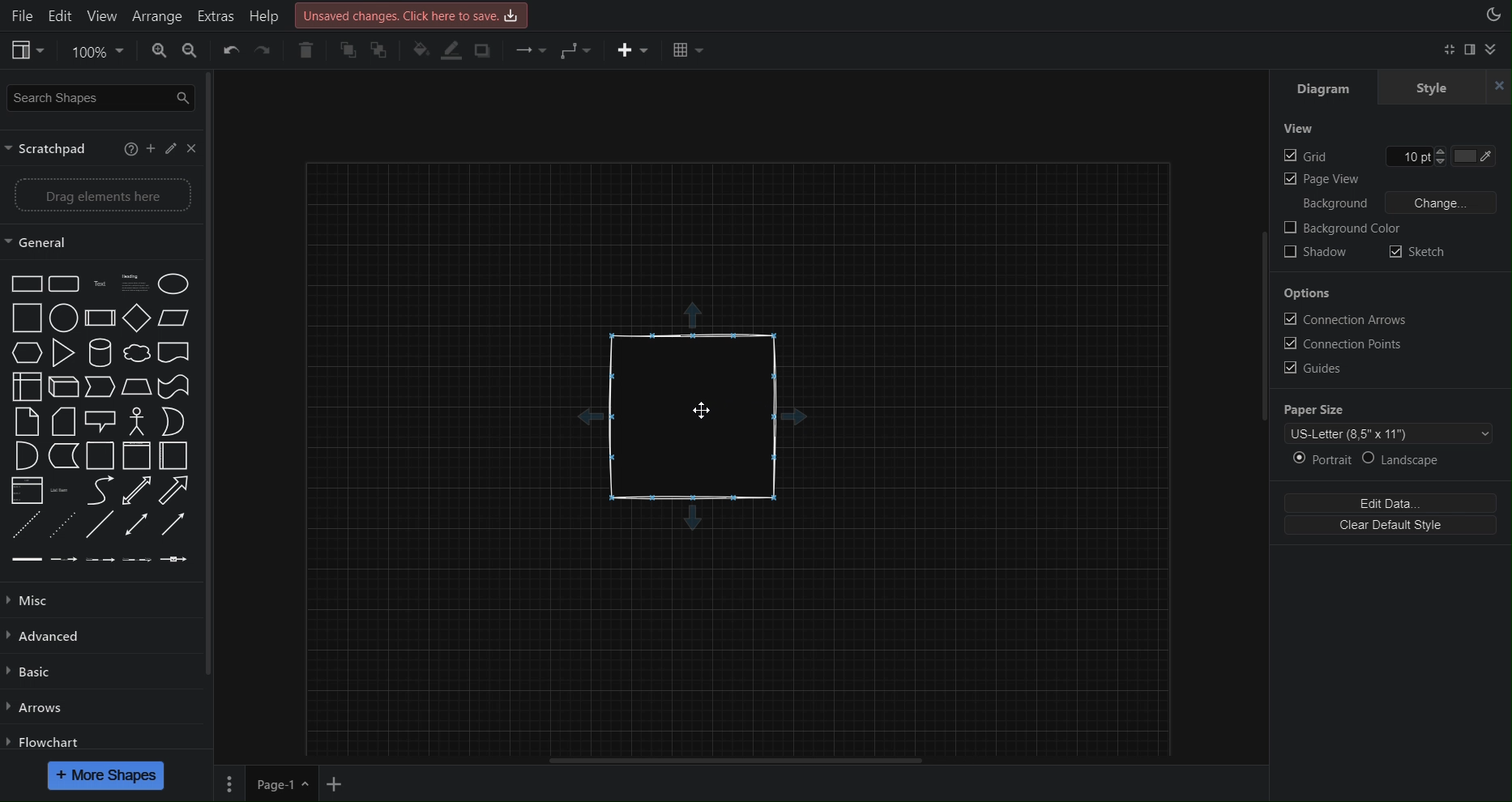  Describe the element at coordinates (383, 50) in the screenshot. I see `Send to back` at that location.